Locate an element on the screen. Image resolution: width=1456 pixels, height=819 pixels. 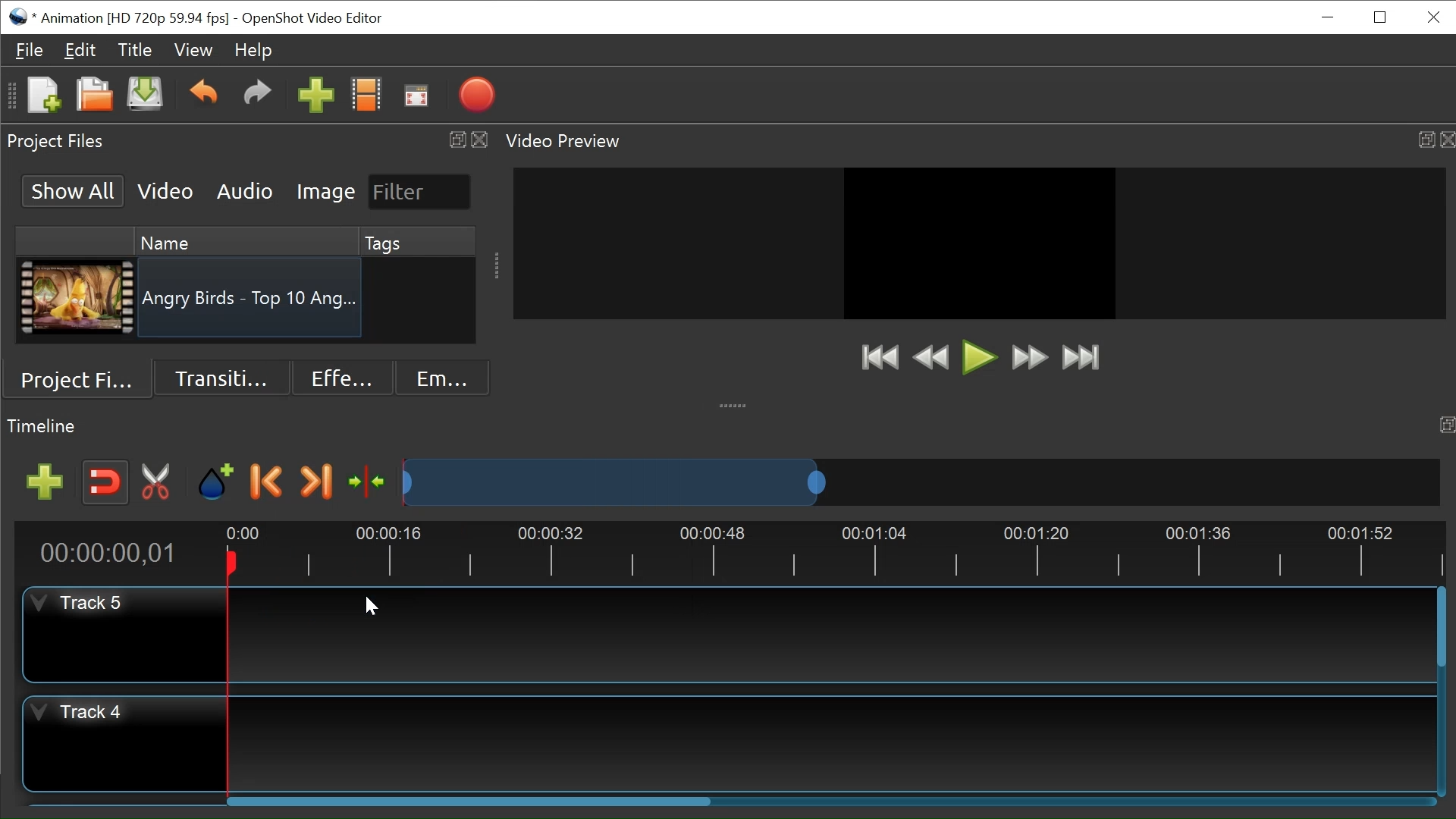
Track Header is located at coordinates (84, 714).